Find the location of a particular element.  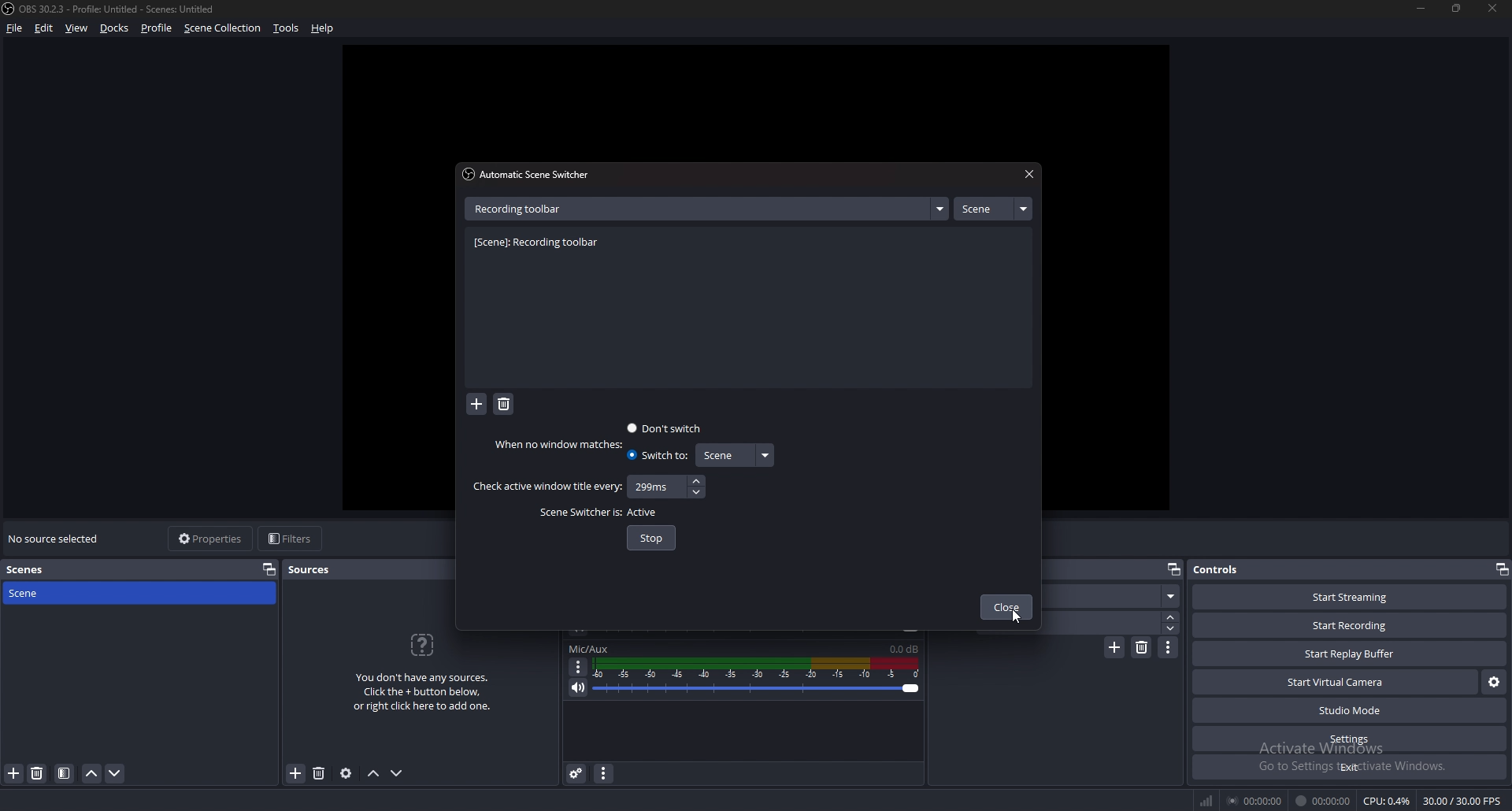

fps is located at coordinates (1464, 801).